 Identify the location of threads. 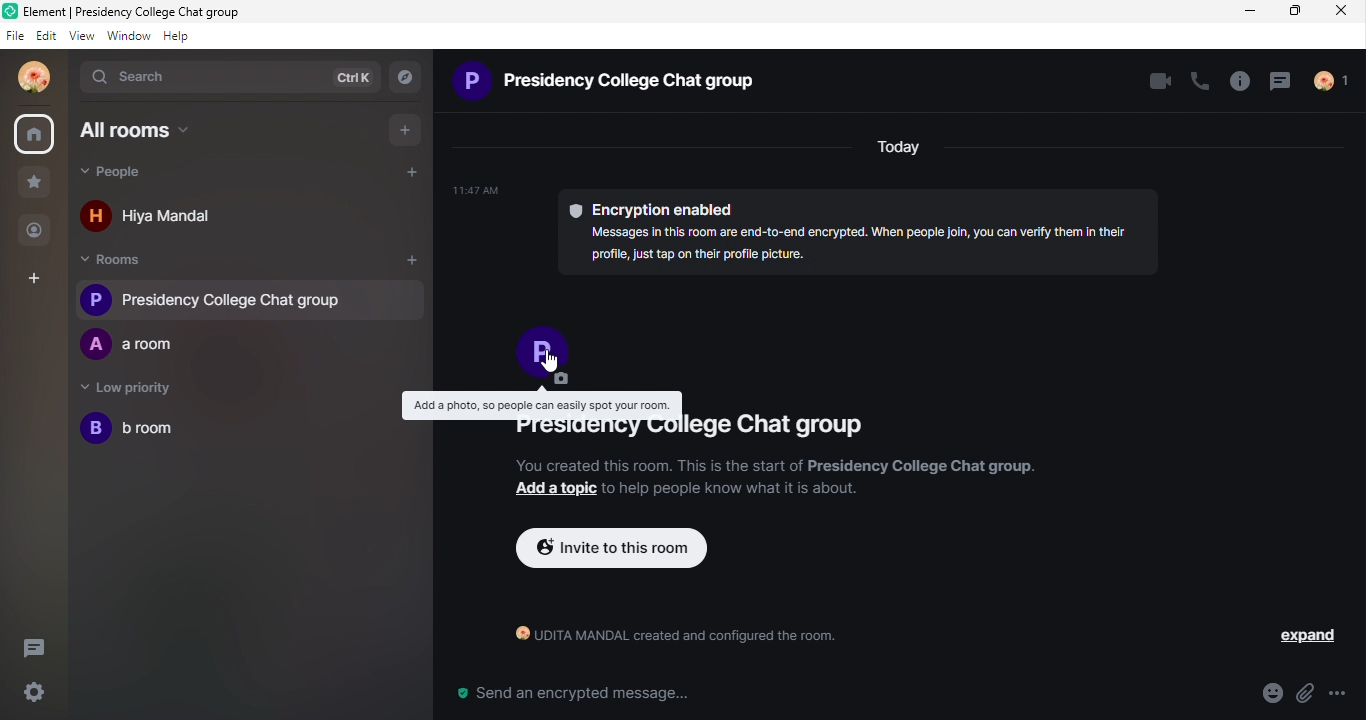
(41, 646).